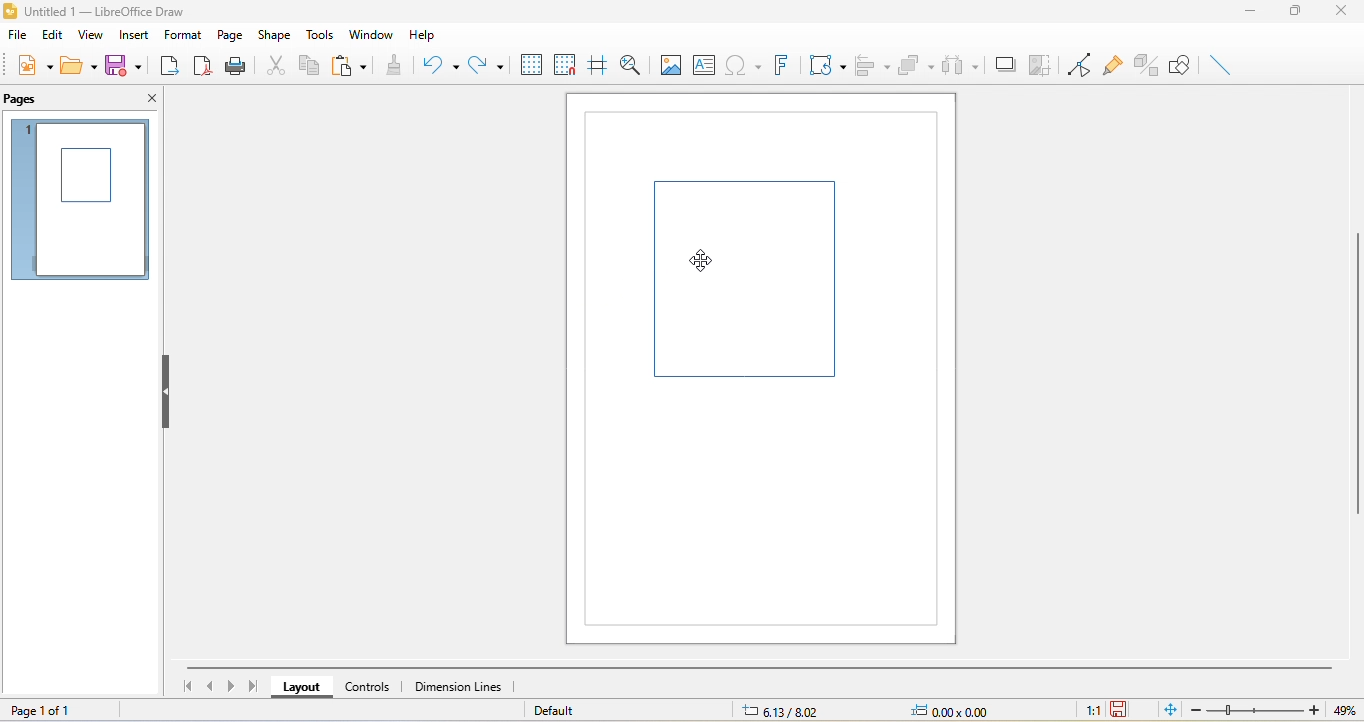 Image resolution: width=1364 pixels, height=722 pixels. What do you see at coordinates (1355, 379) in the screenshot?
I see `vertical scroll bar` at bounding box center [1355, 379].